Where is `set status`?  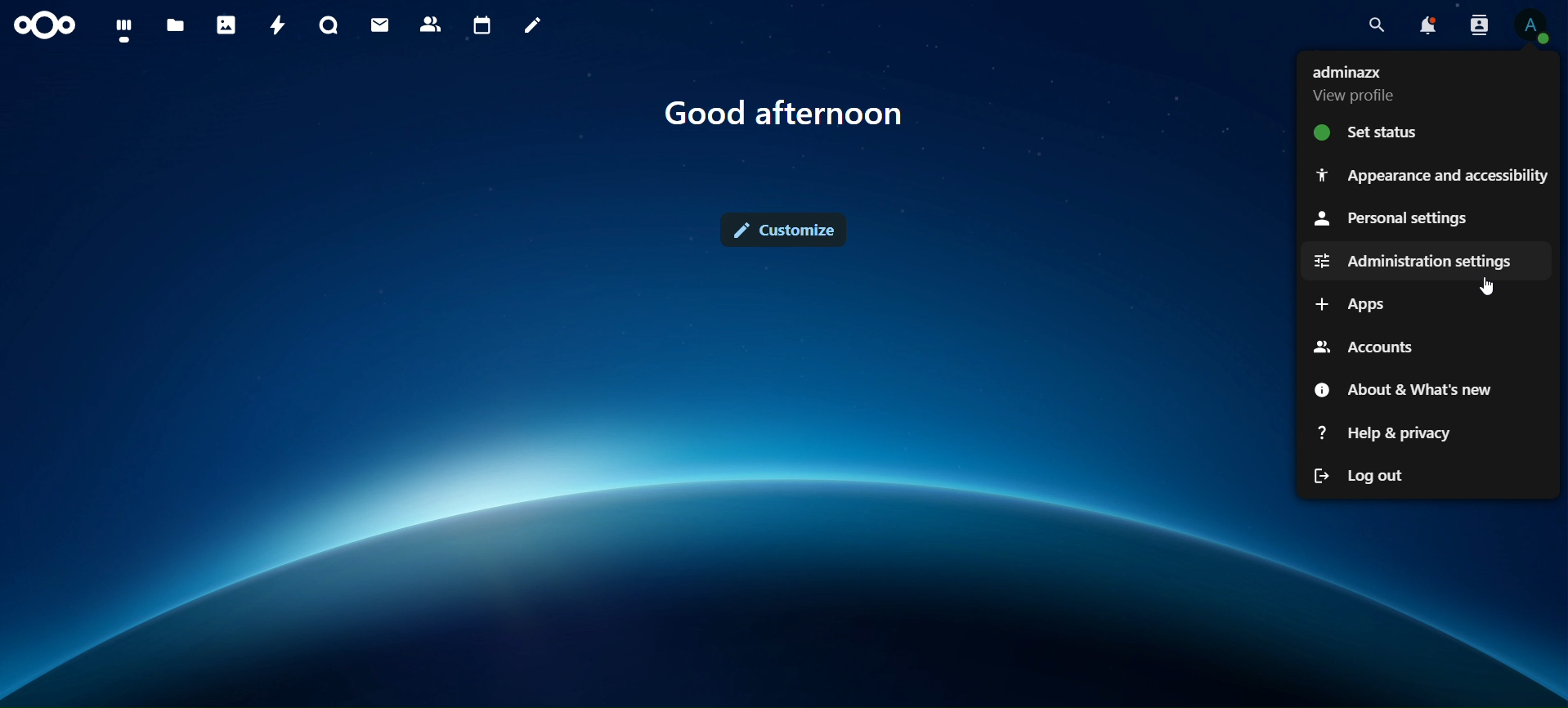
set status is located at coordinates (1370, 136).